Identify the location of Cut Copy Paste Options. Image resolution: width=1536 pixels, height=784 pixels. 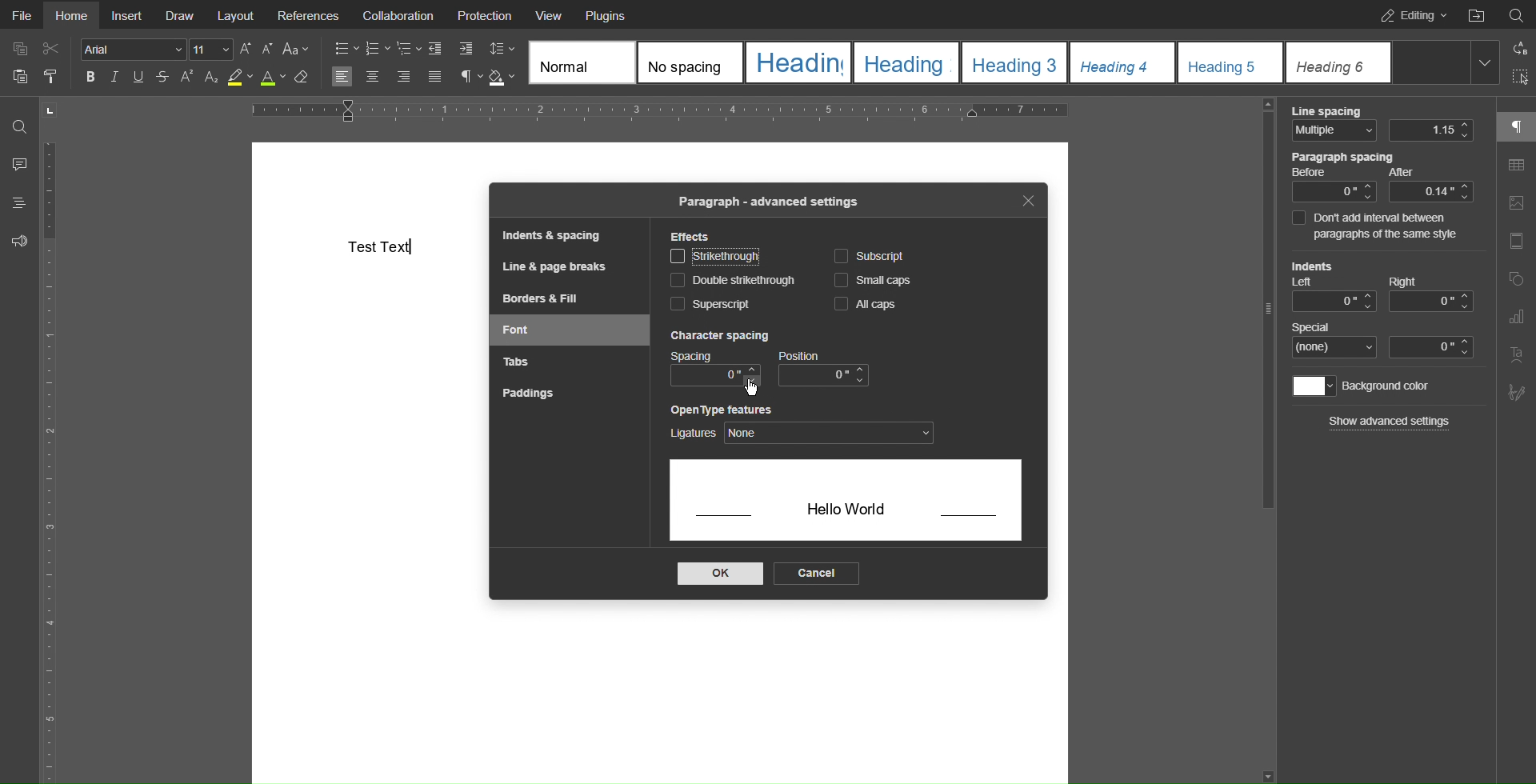
(35, 66).